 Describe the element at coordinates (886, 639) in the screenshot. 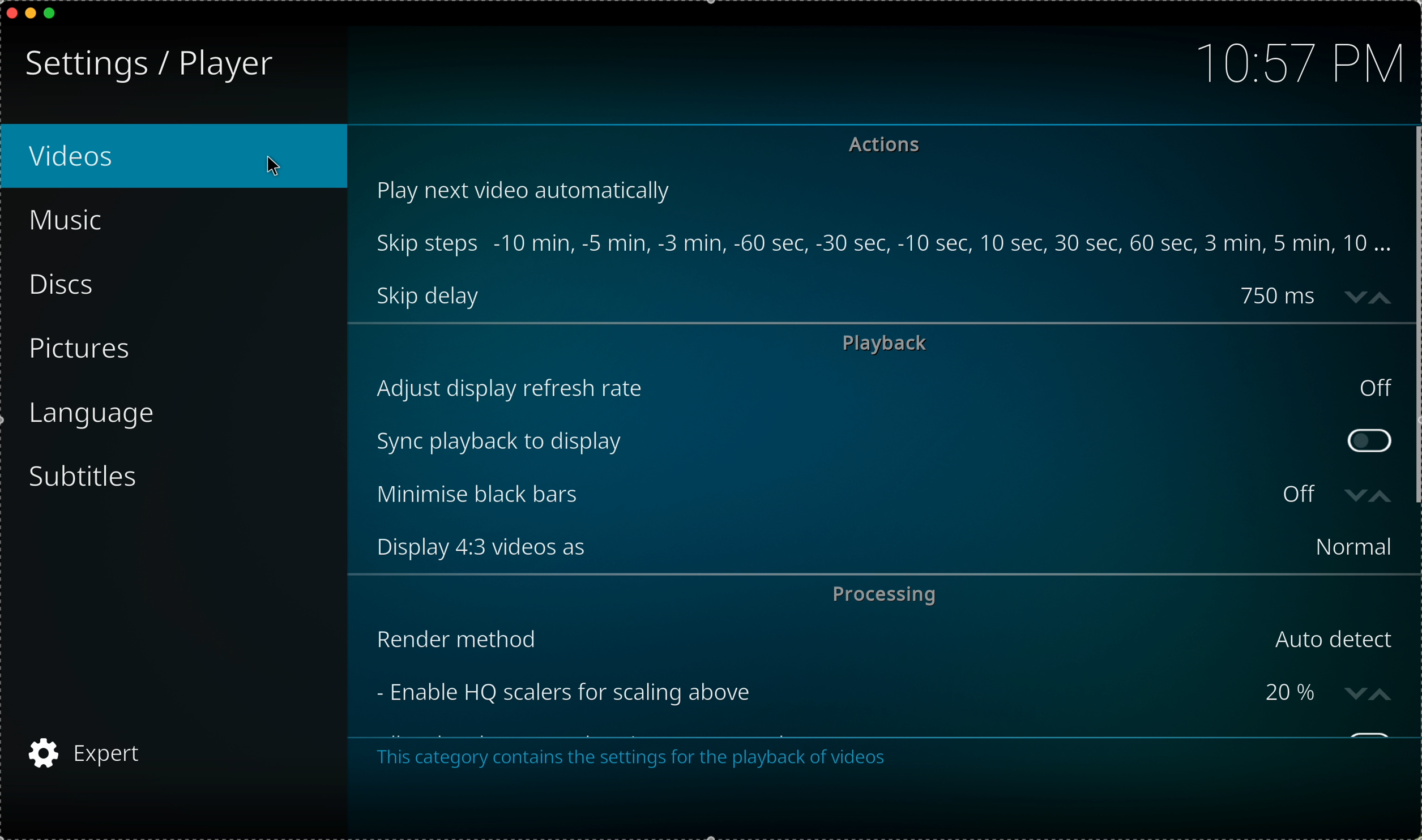

I see `render method  Auto detect` at that location.